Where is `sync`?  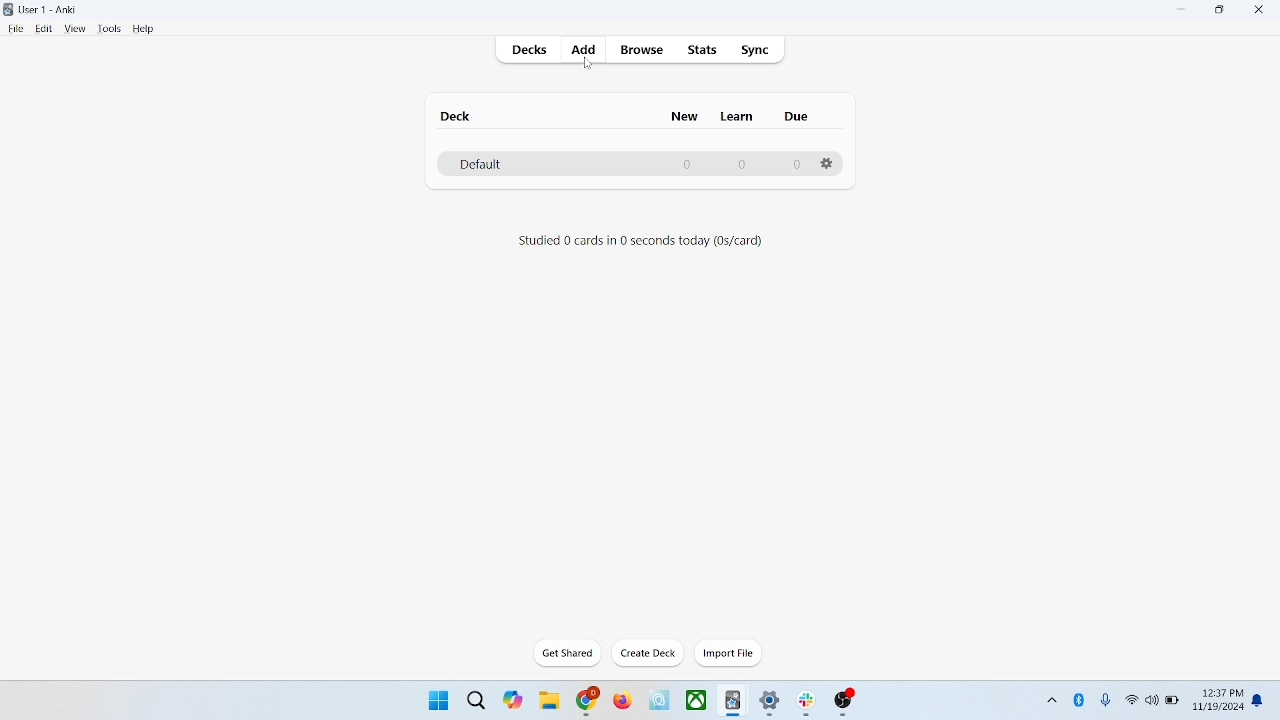 sync is located at coordinates (756, 51).